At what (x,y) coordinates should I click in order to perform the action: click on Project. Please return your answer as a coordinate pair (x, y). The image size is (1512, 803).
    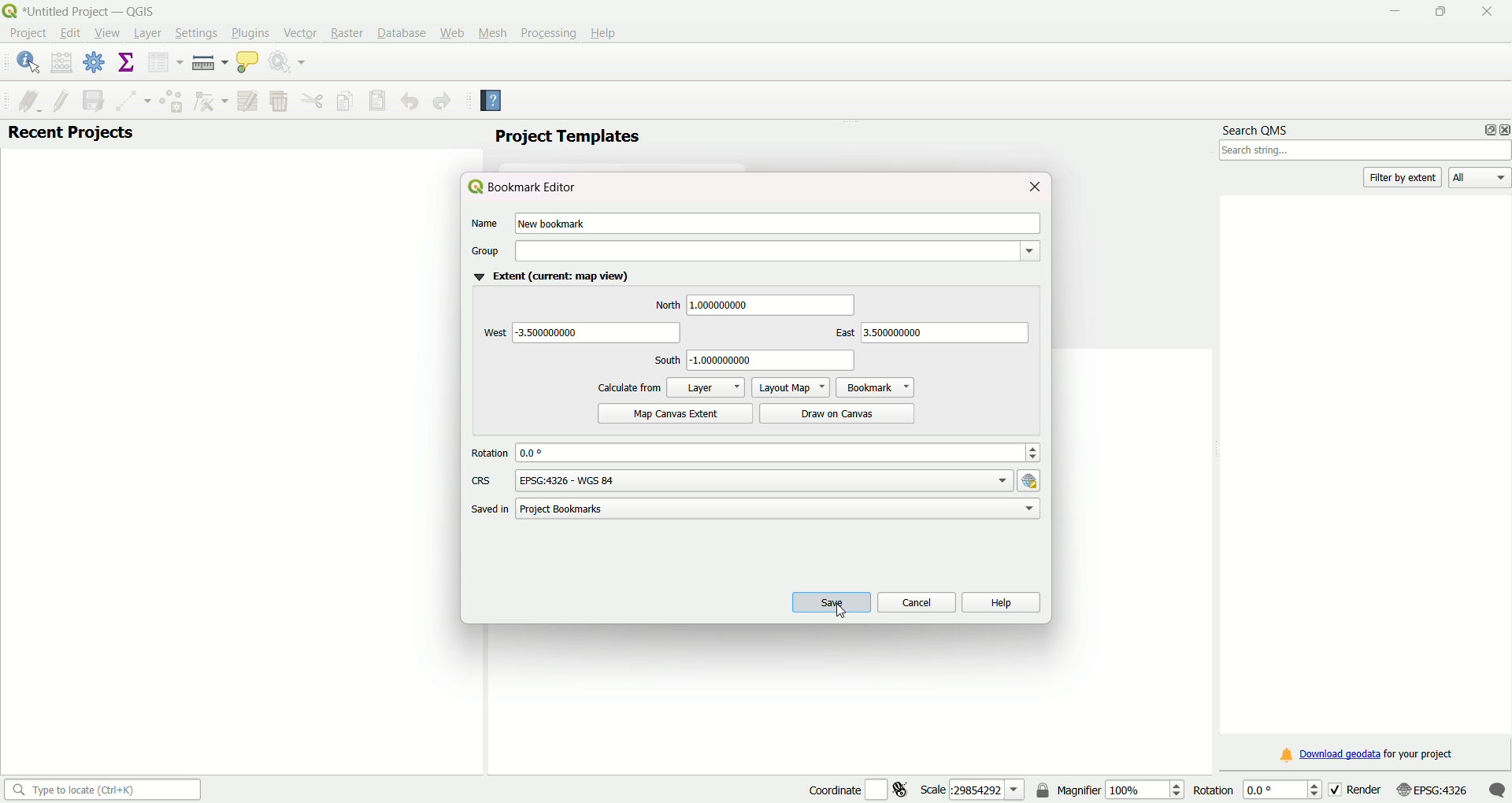
    Looking at the image, I should click on (28, 35).